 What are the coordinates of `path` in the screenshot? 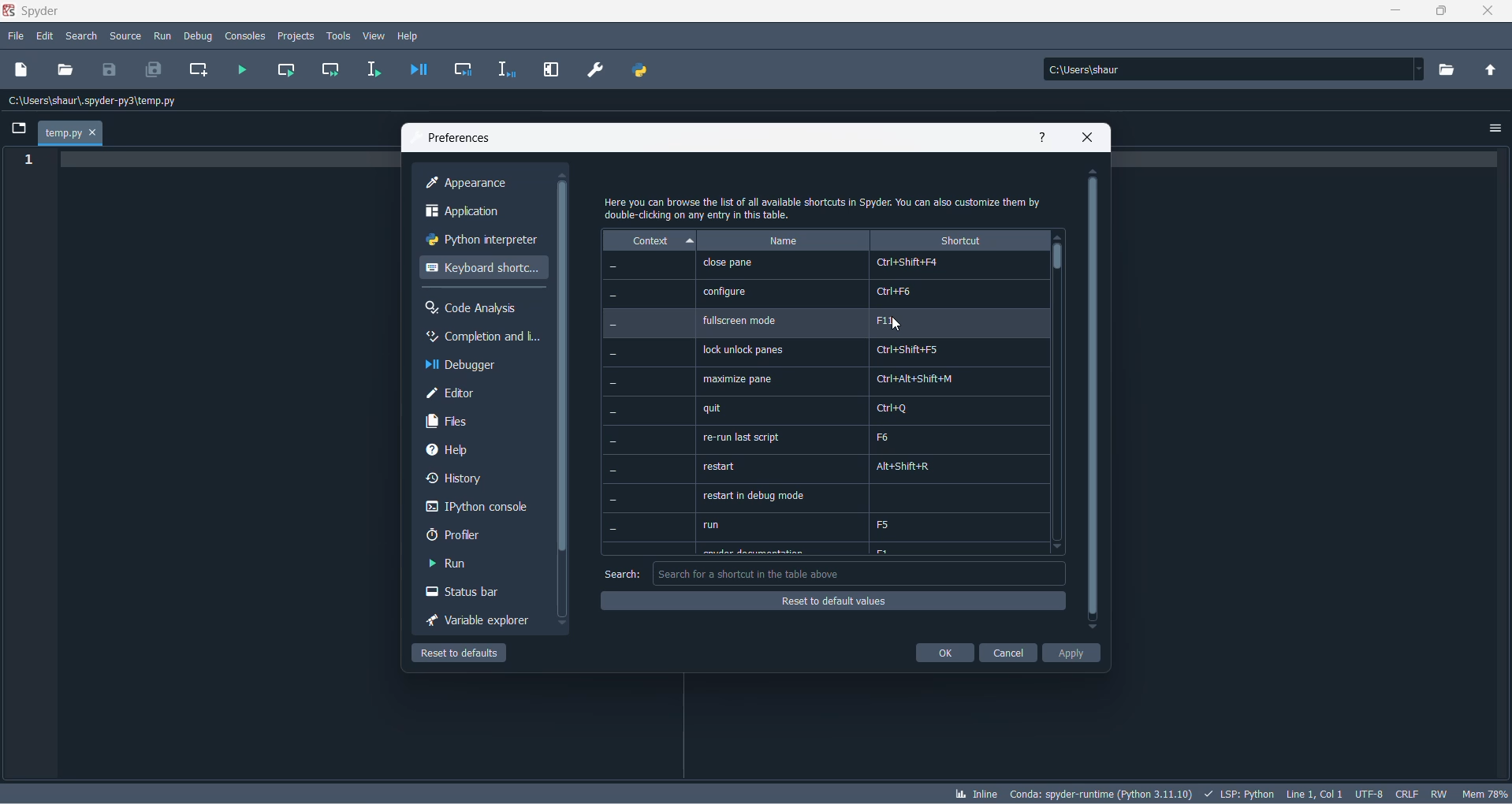 It's located at (1230, 69).